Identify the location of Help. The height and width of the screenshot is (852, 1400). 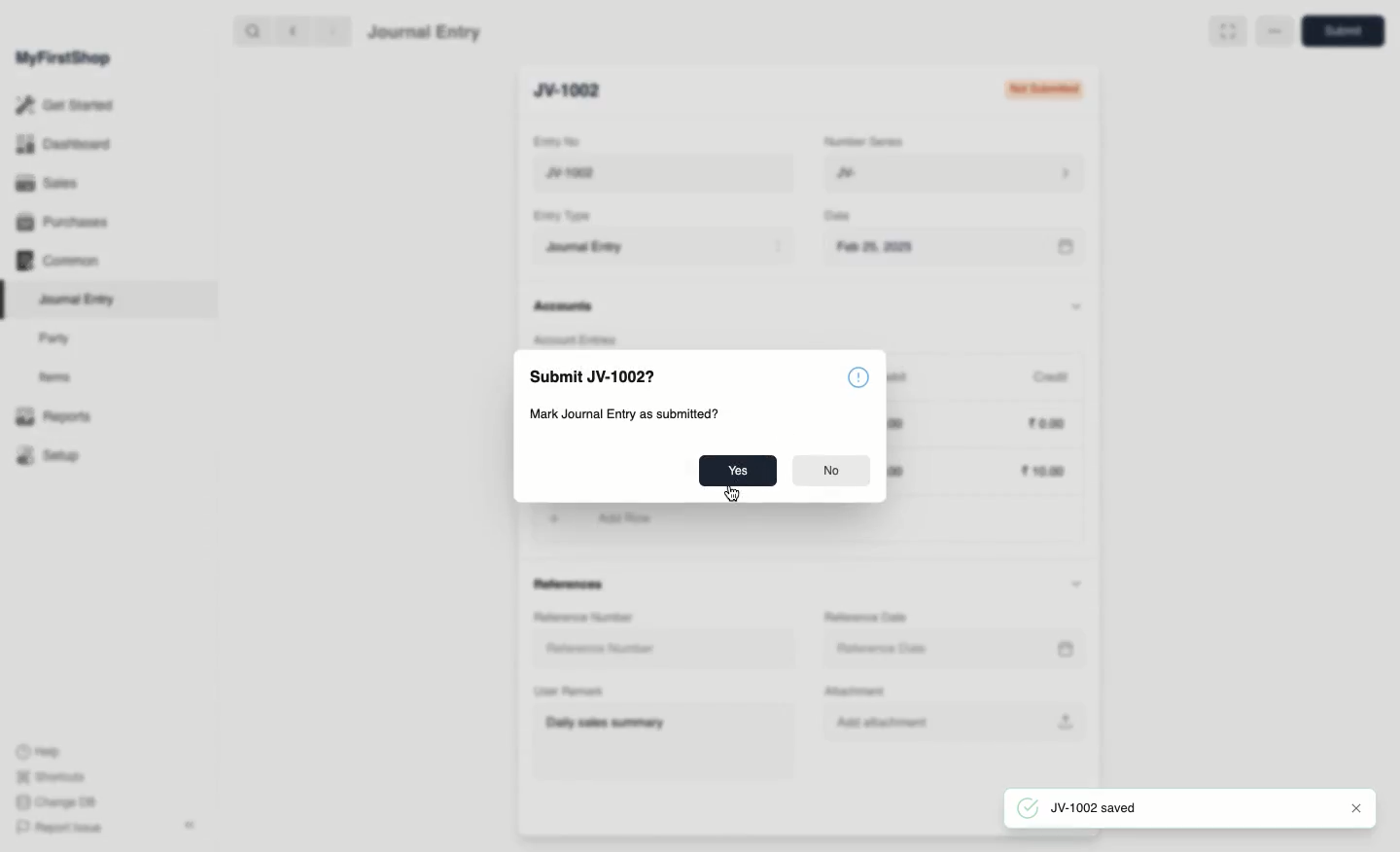
(36, 750).